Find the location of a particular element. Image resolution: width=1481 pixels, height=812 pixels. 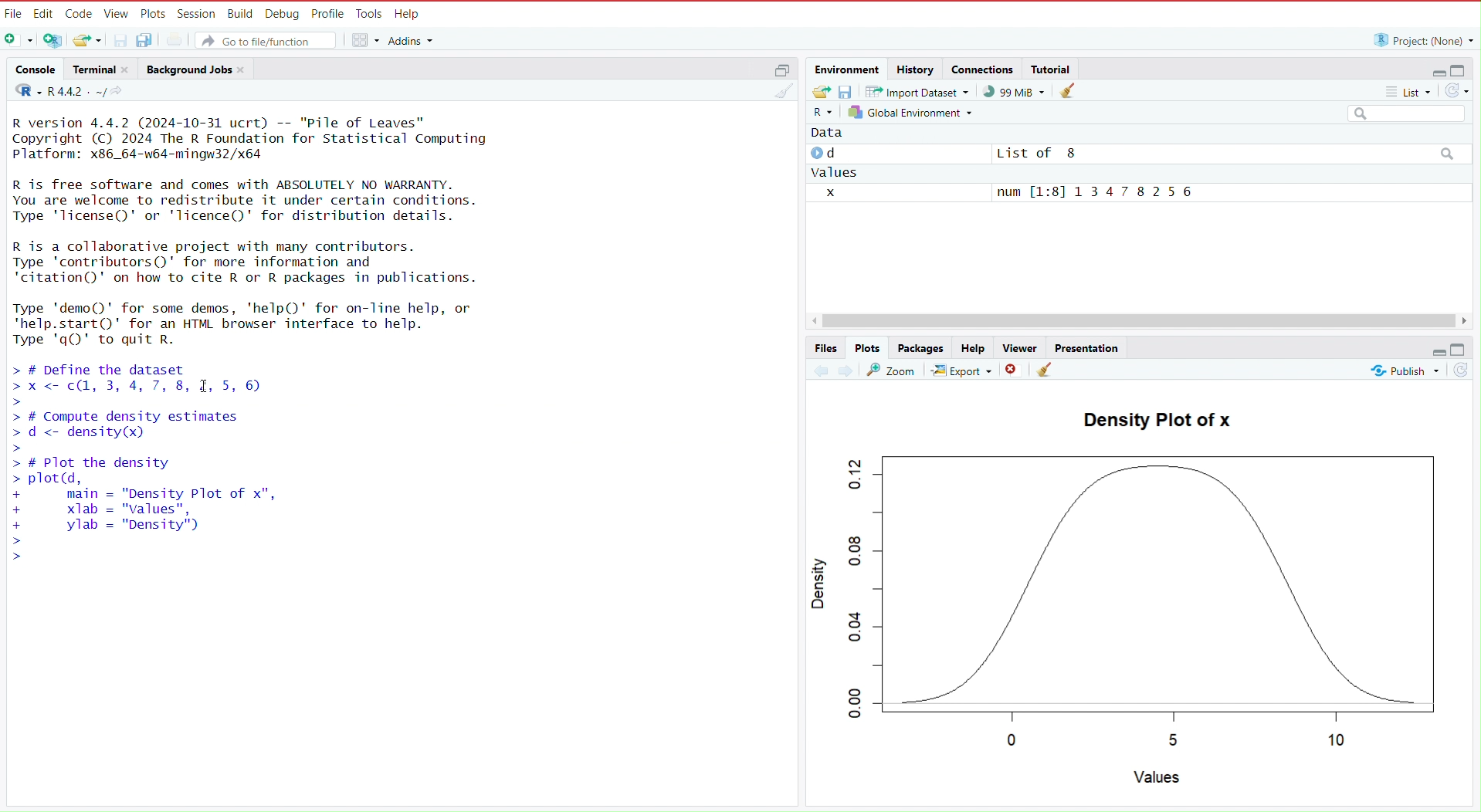

language select is located at coordinates (22, 92).